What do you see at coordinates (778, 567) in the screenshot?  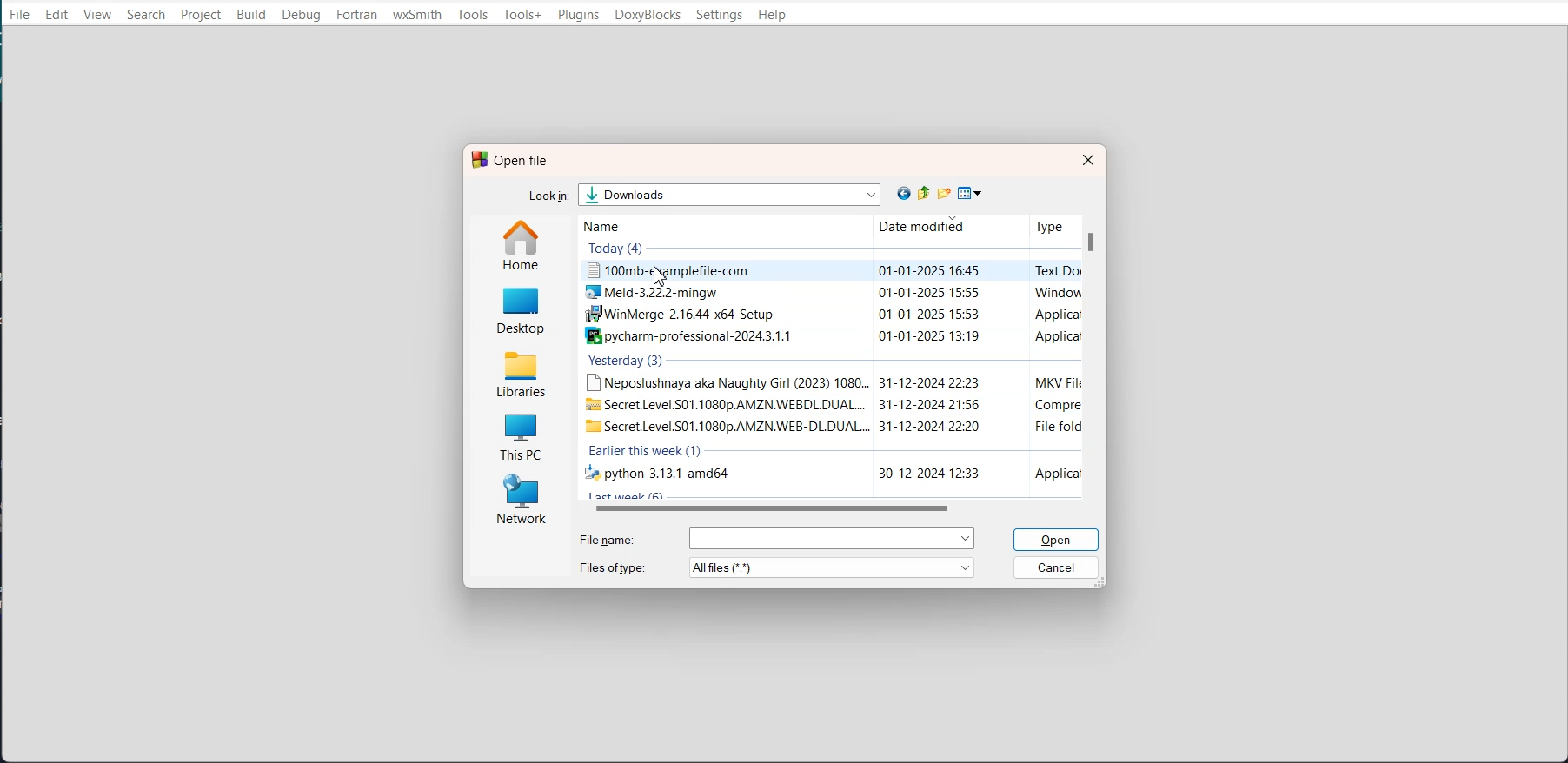 I see `File Type: All files` at bounding box center [778, 567].